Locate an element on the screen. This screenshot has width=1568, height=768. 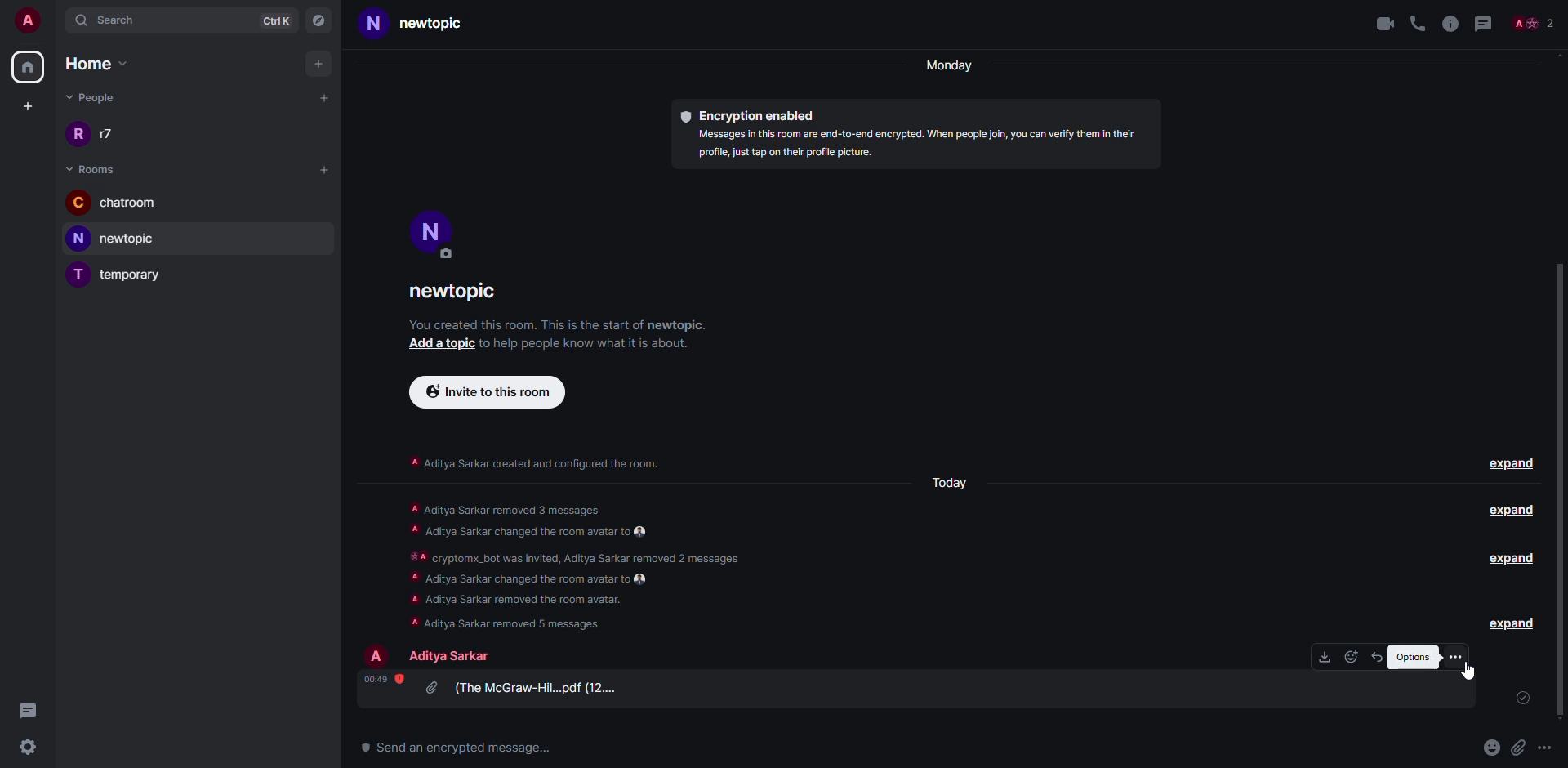
Messages in this room are end-to-end encrypted. When people join, you can verify them In their
profile, just tap on their profile picture. is located at coordinates (914, 145).